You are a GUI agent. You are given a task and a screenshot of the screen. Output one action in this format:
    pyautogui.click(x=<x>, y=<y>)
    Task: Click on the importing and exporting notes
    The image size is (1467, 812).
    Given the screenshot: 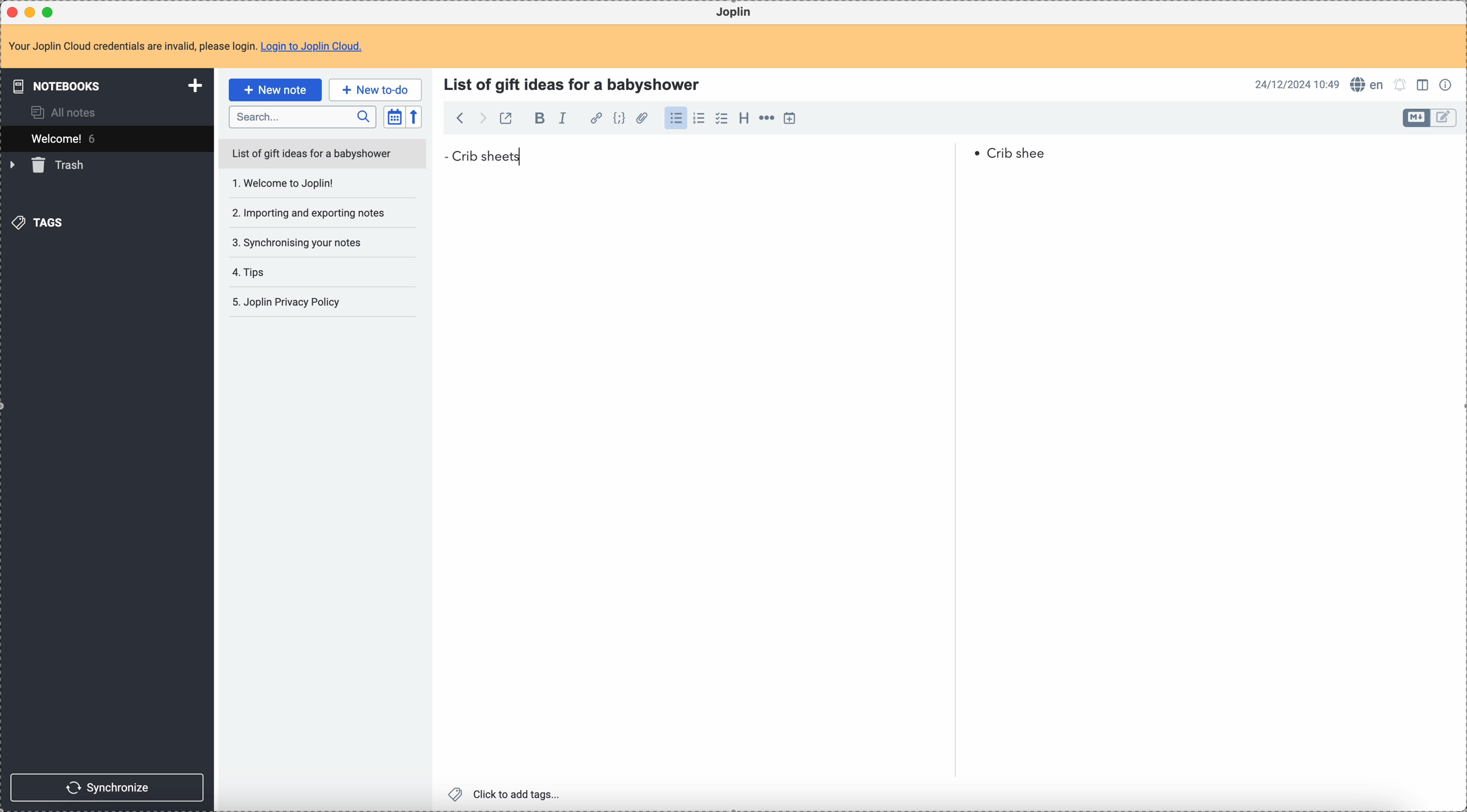 What is the action you would take?
    pyautogui.click(x=308, y=212)
    